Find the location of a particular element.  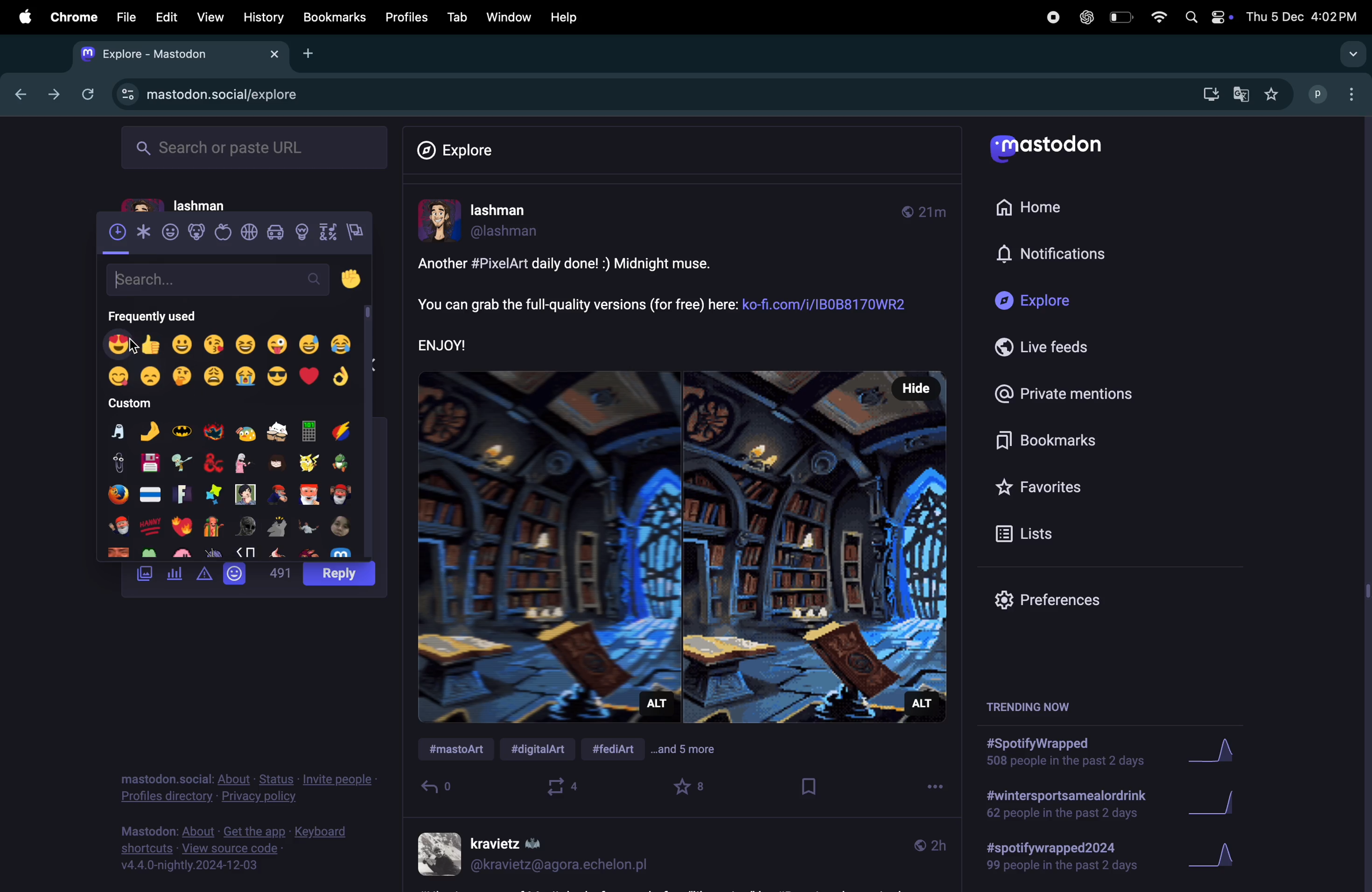

#mastdon is located at coordinates (458, 751).